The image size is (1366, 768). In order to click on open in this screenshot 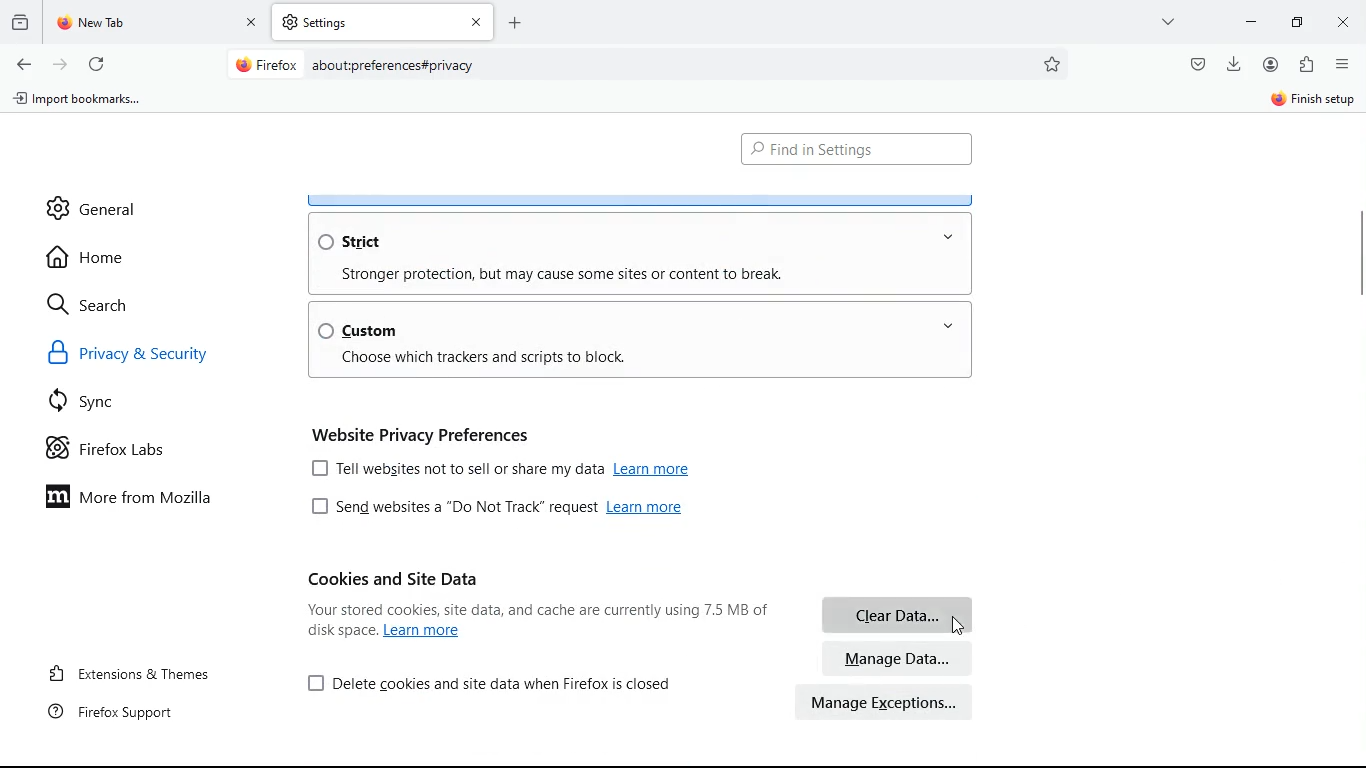, I will do `click(947, 324)`.